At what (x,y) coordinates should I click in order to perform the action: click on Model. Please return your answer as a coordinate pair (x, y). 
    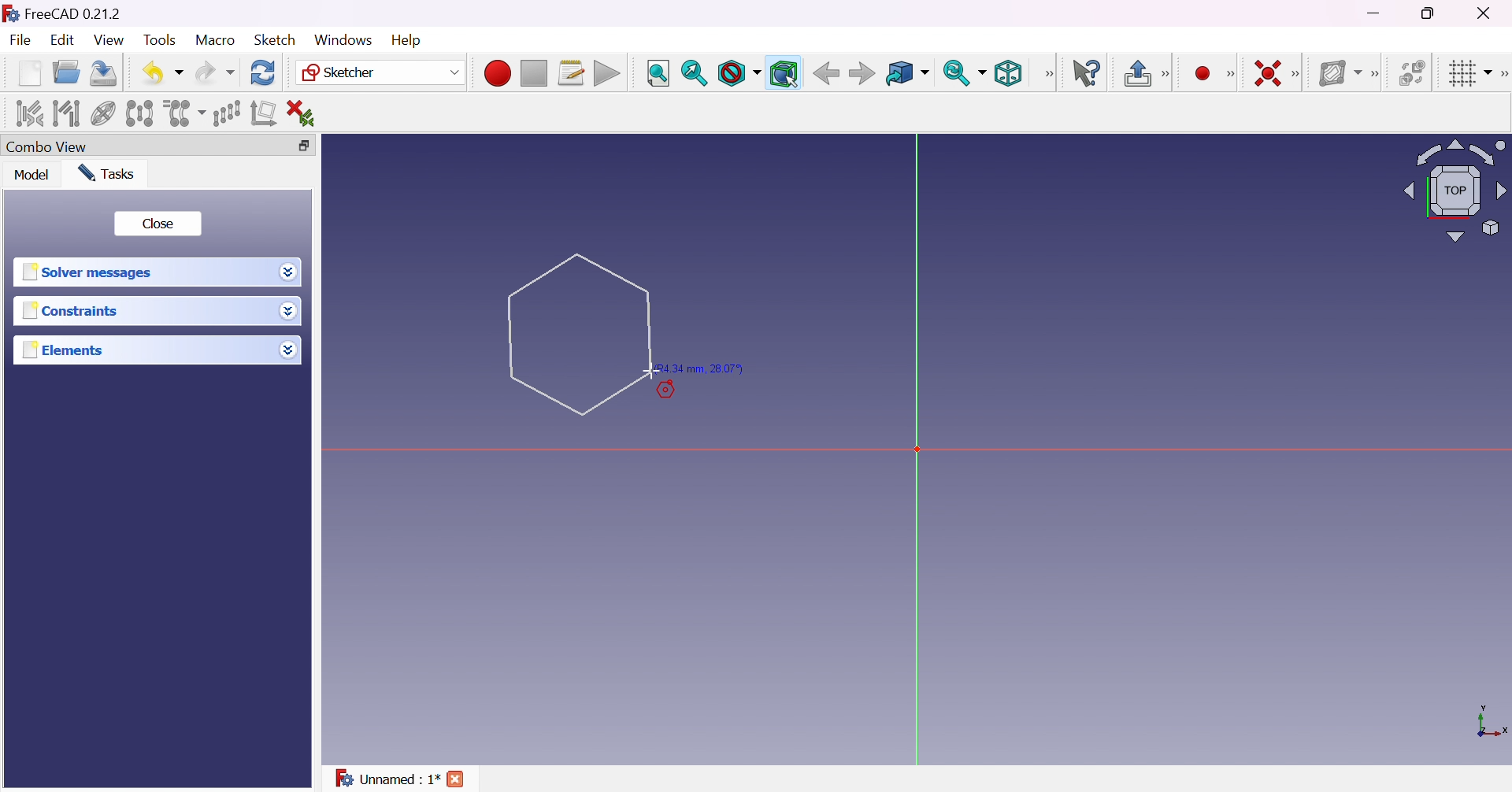
    Looking at the image, I should click on (33, 174).